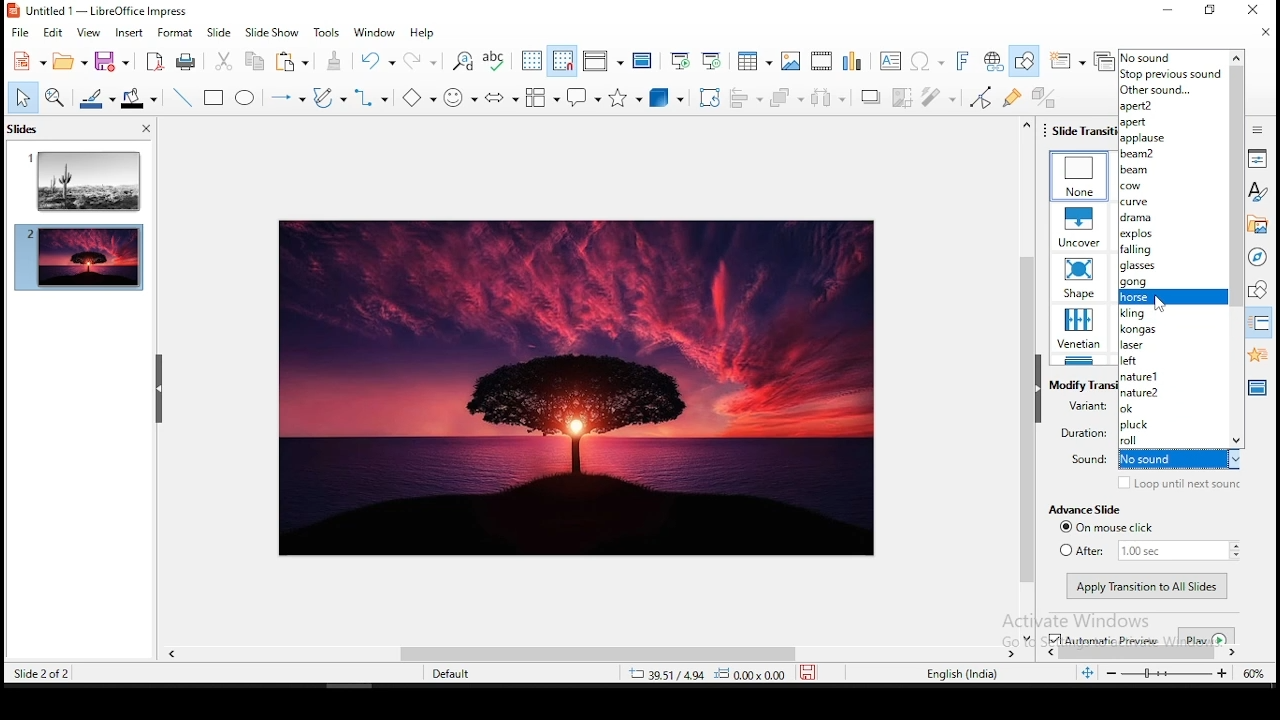  Describe the element at coordinates (1172, 267) in the screenshot. I see `glasses` at that location.